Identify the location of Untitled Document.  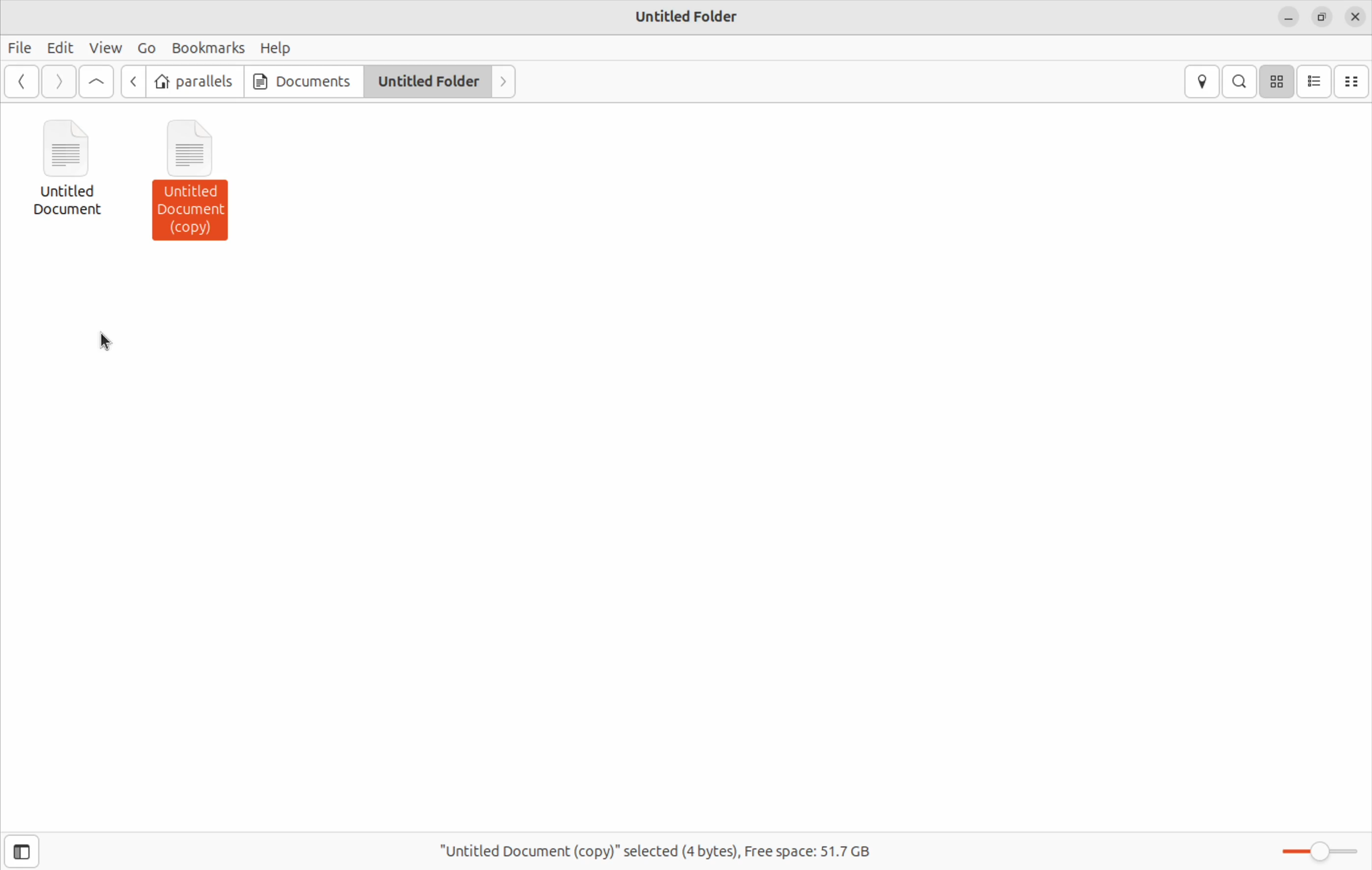
(74, 168).